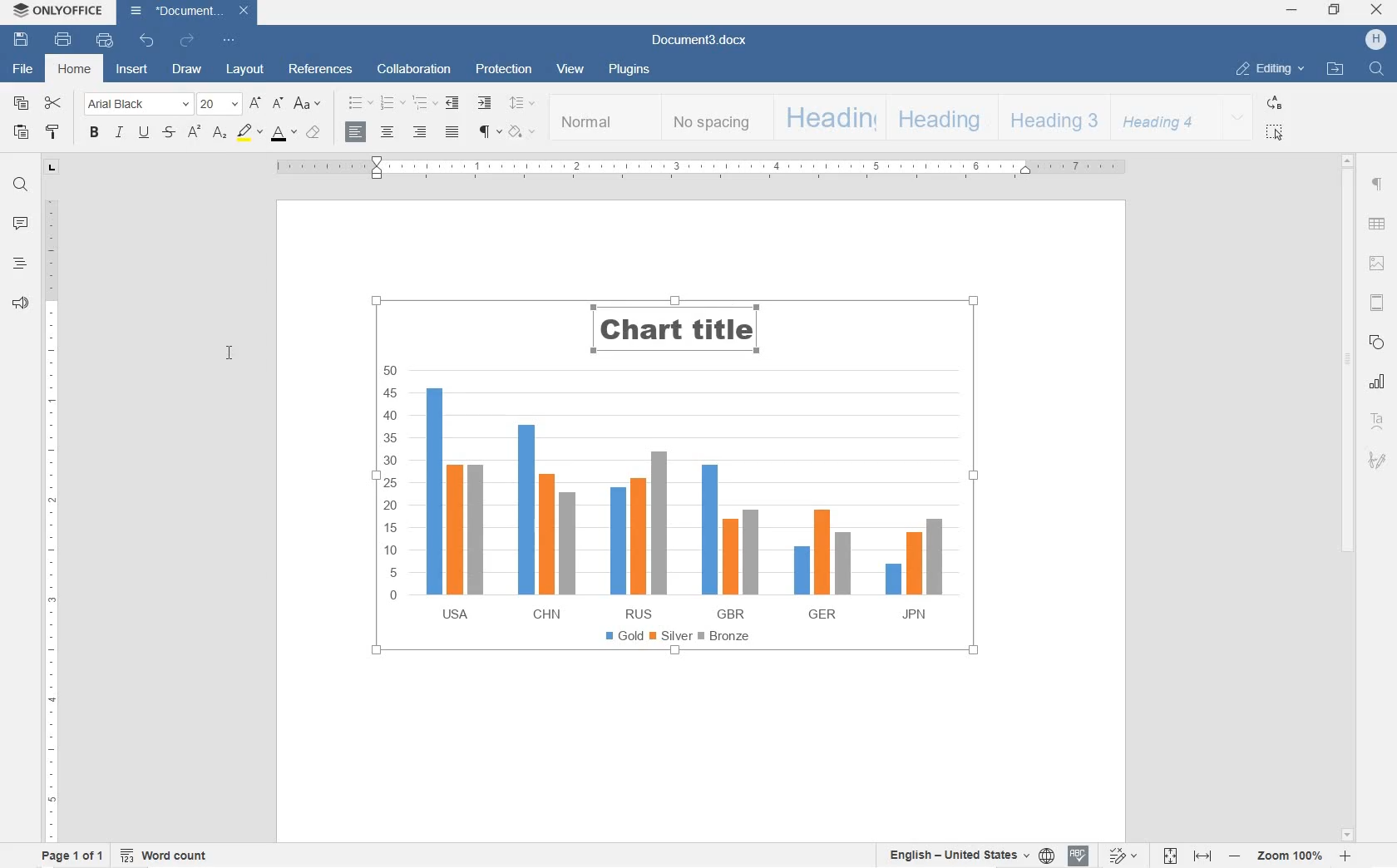  I want to click on CUT, so click(55, 103).